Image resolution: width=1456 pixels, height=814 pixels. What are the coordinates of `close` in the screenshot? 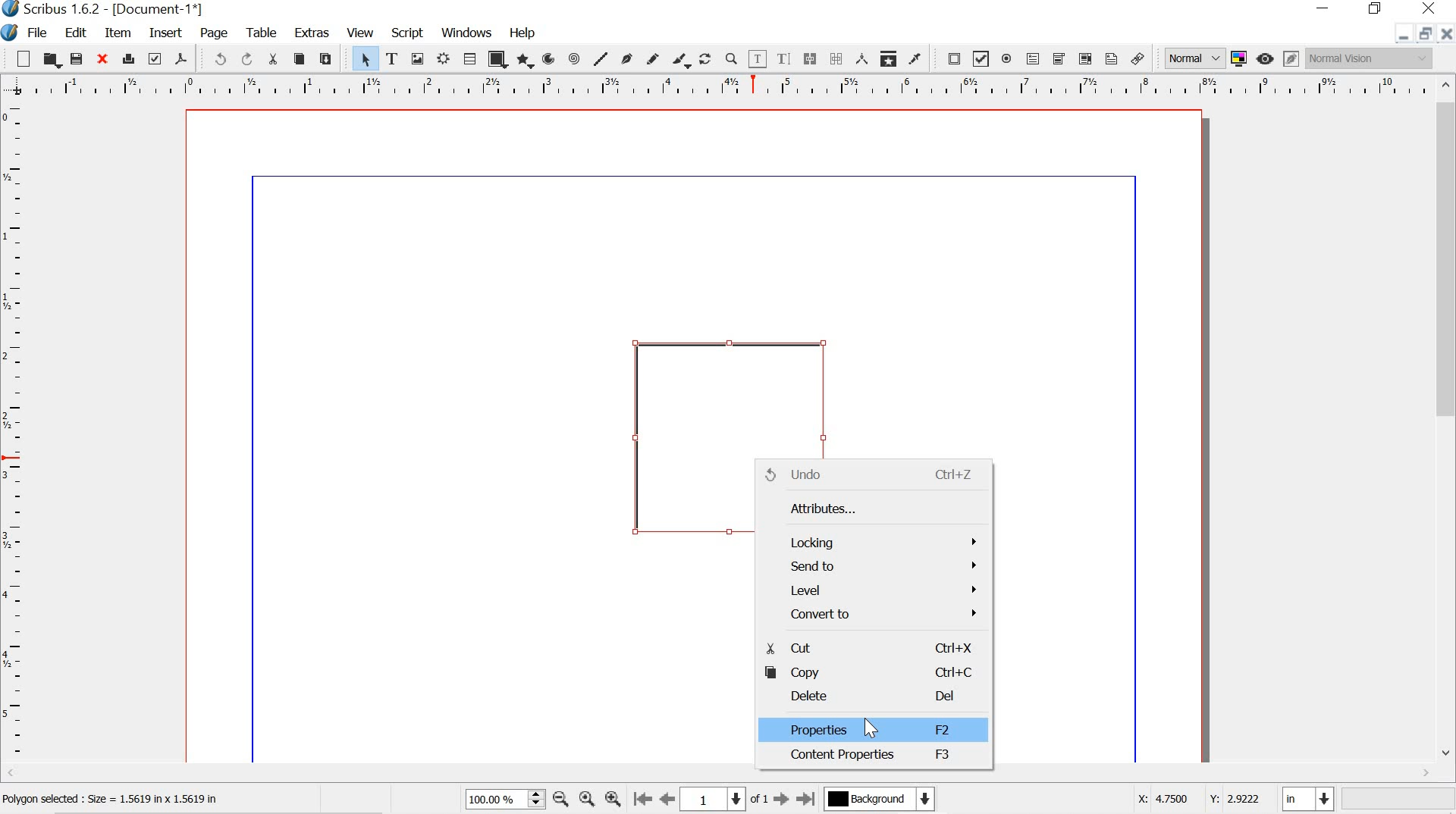 It's located at (105, 60).